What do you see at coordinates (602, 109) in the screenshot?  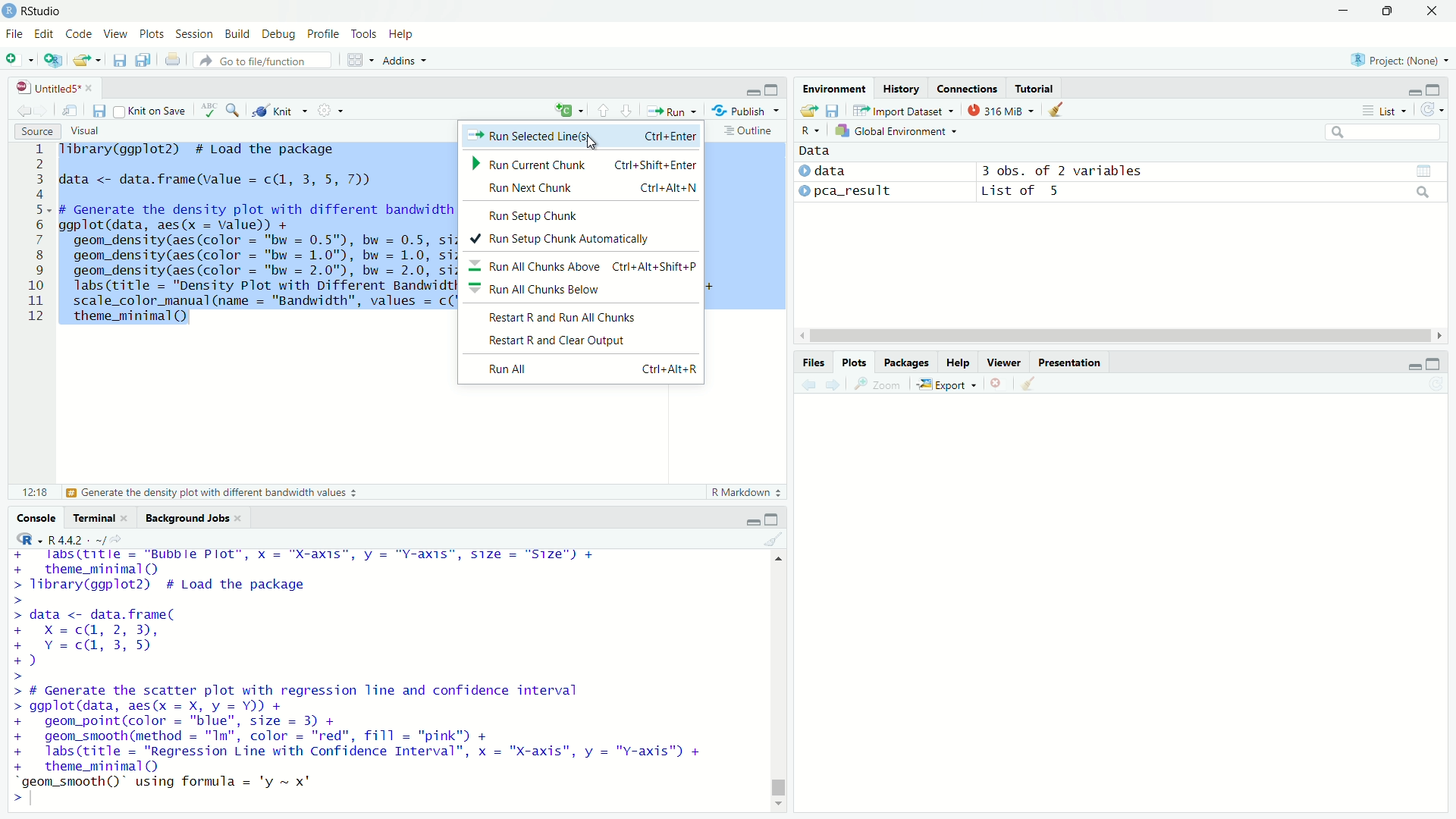 I see `Go to previous section/chunk` at bounding box center [602, 109].